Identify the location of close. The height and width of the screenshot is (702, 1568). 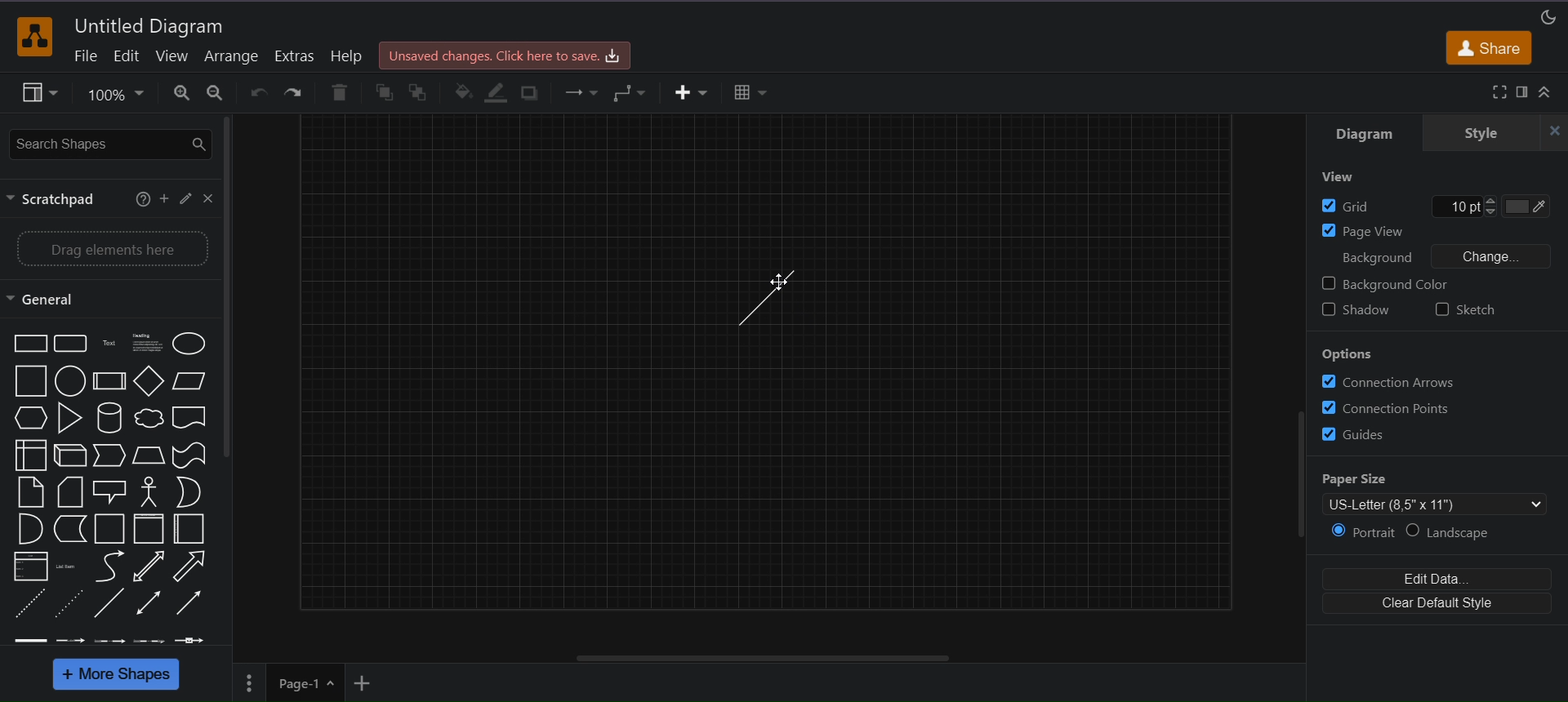
(209, 200).